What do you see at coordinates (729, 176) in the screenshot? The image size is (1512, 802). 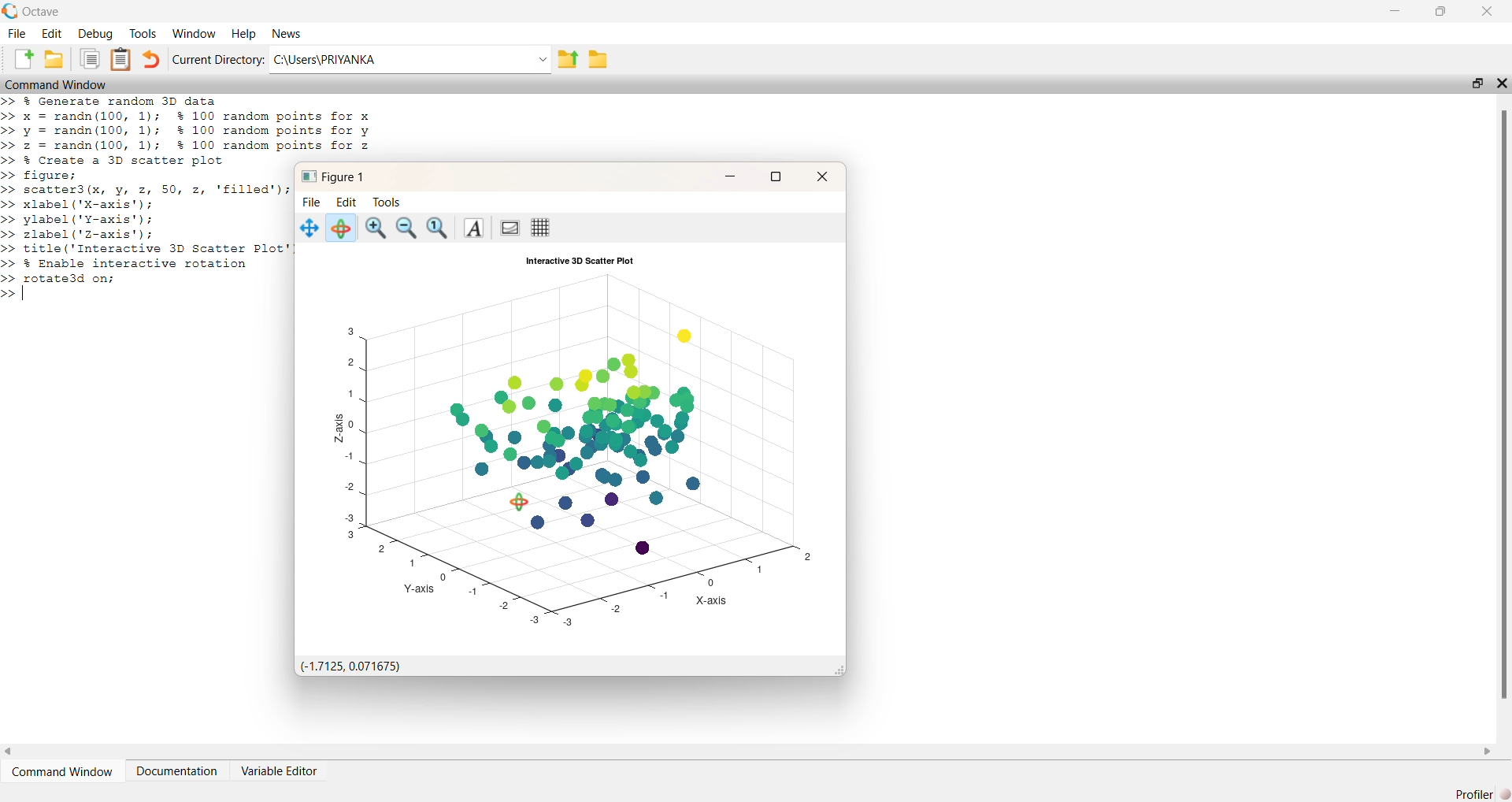 I see `minimize` at bounding box center [729, 176].